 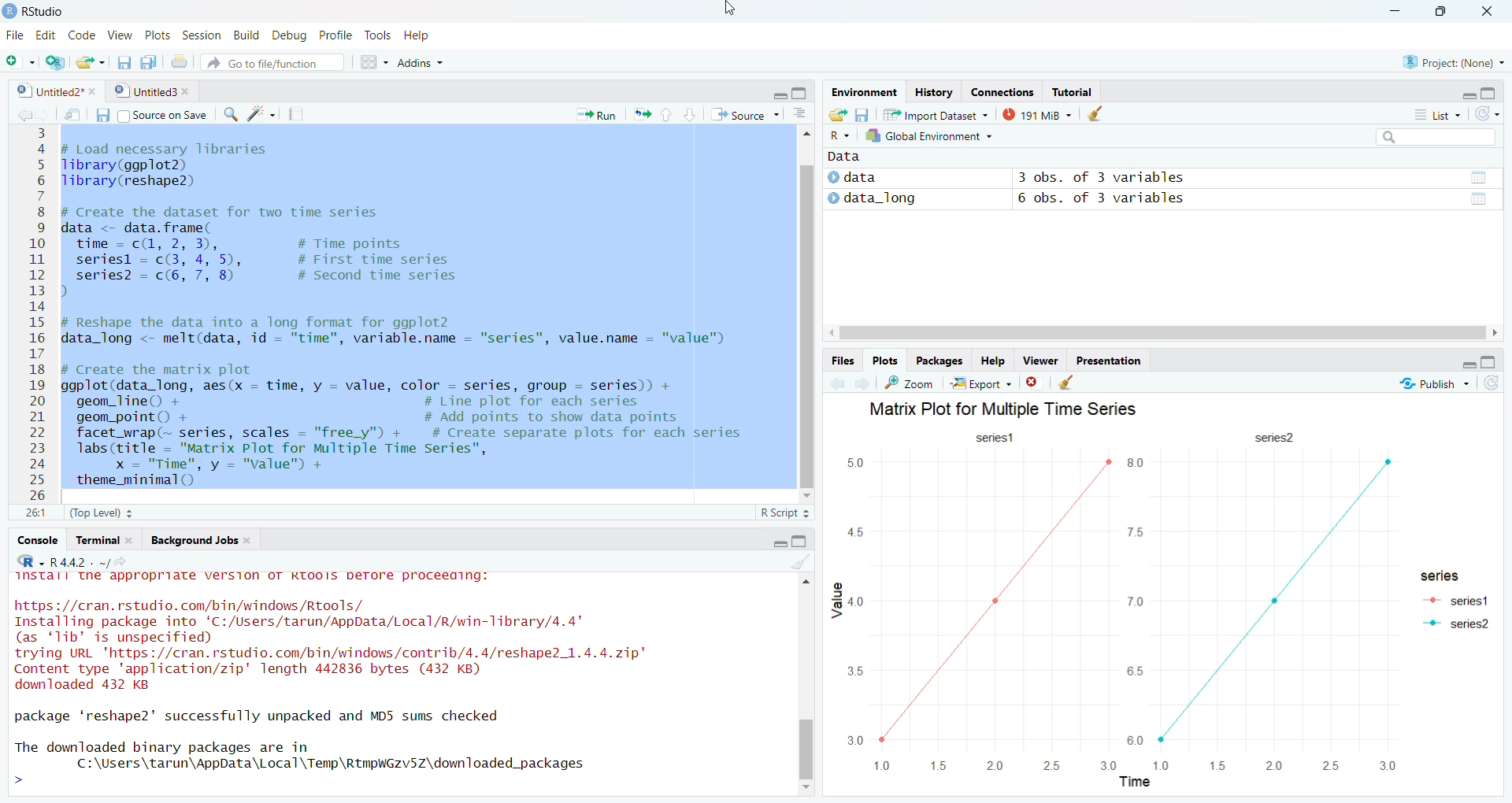 I want to click on Help, so click(x=992, y=359).